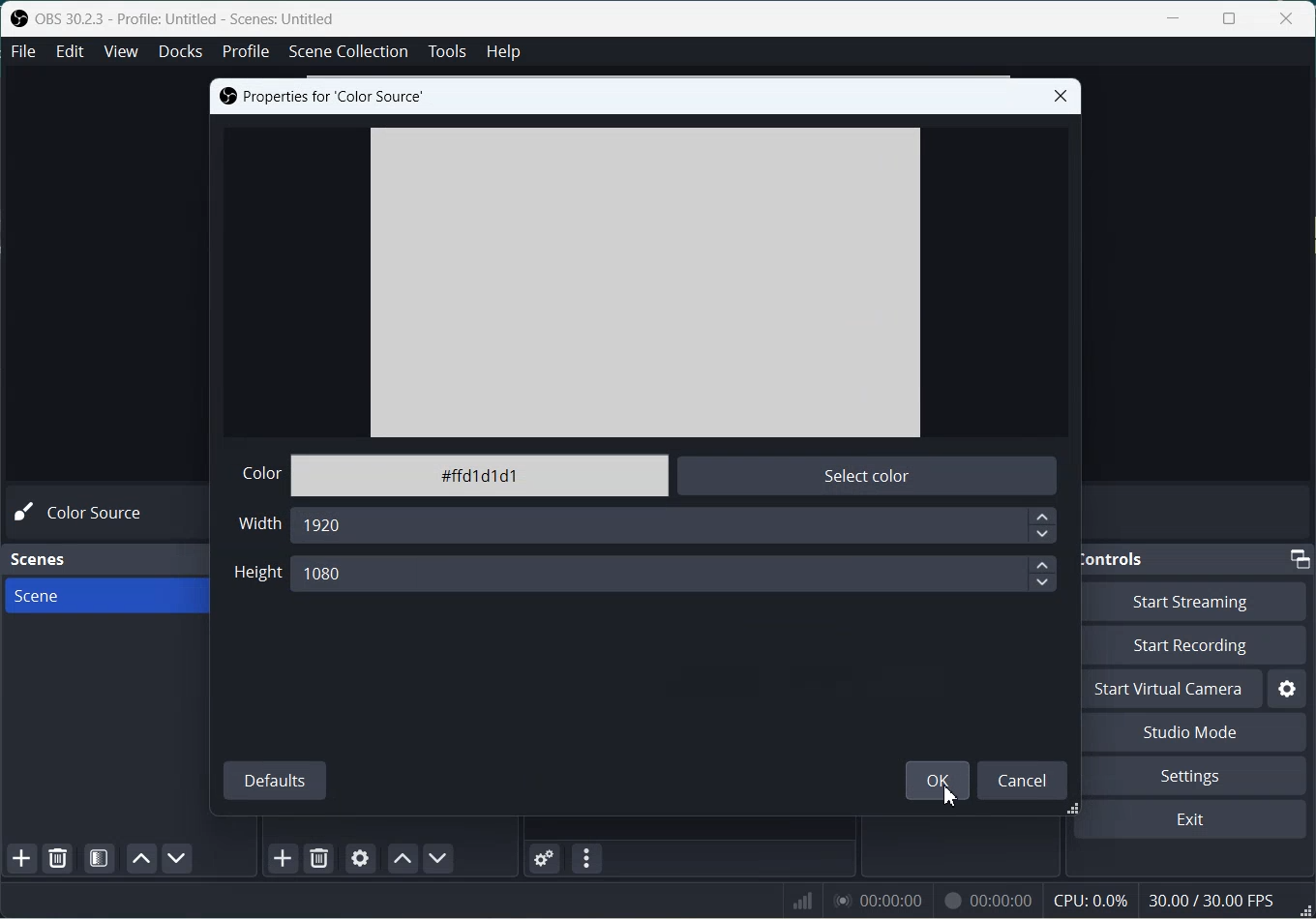 Image resolution: width=1316 pixels, height=919 pixels. I want to click on Start Virtual Camera, so click(1174, 690).